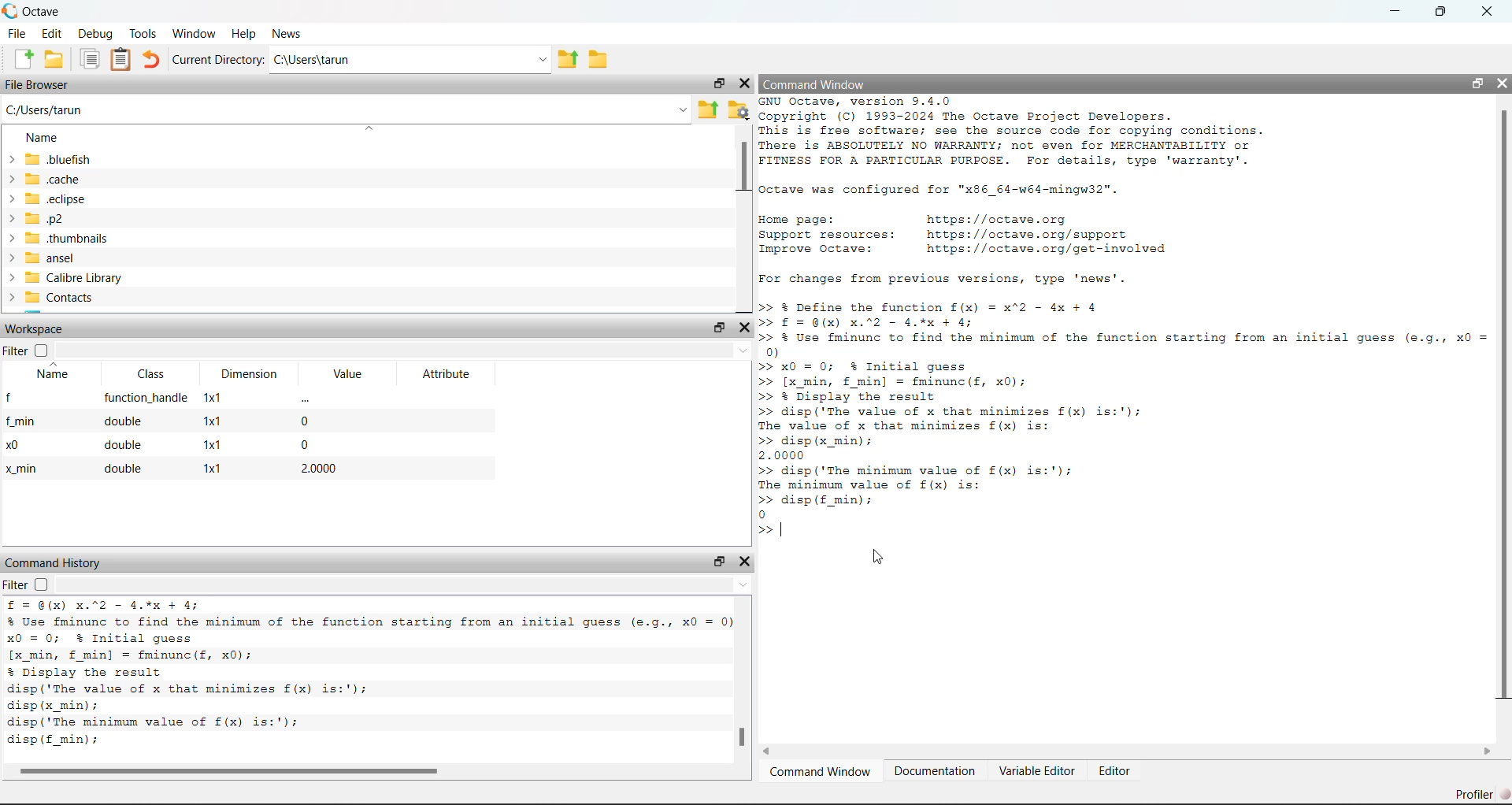 This screenshot has width=1512, height=805. I want to click on Dimension, so click(256, 373).